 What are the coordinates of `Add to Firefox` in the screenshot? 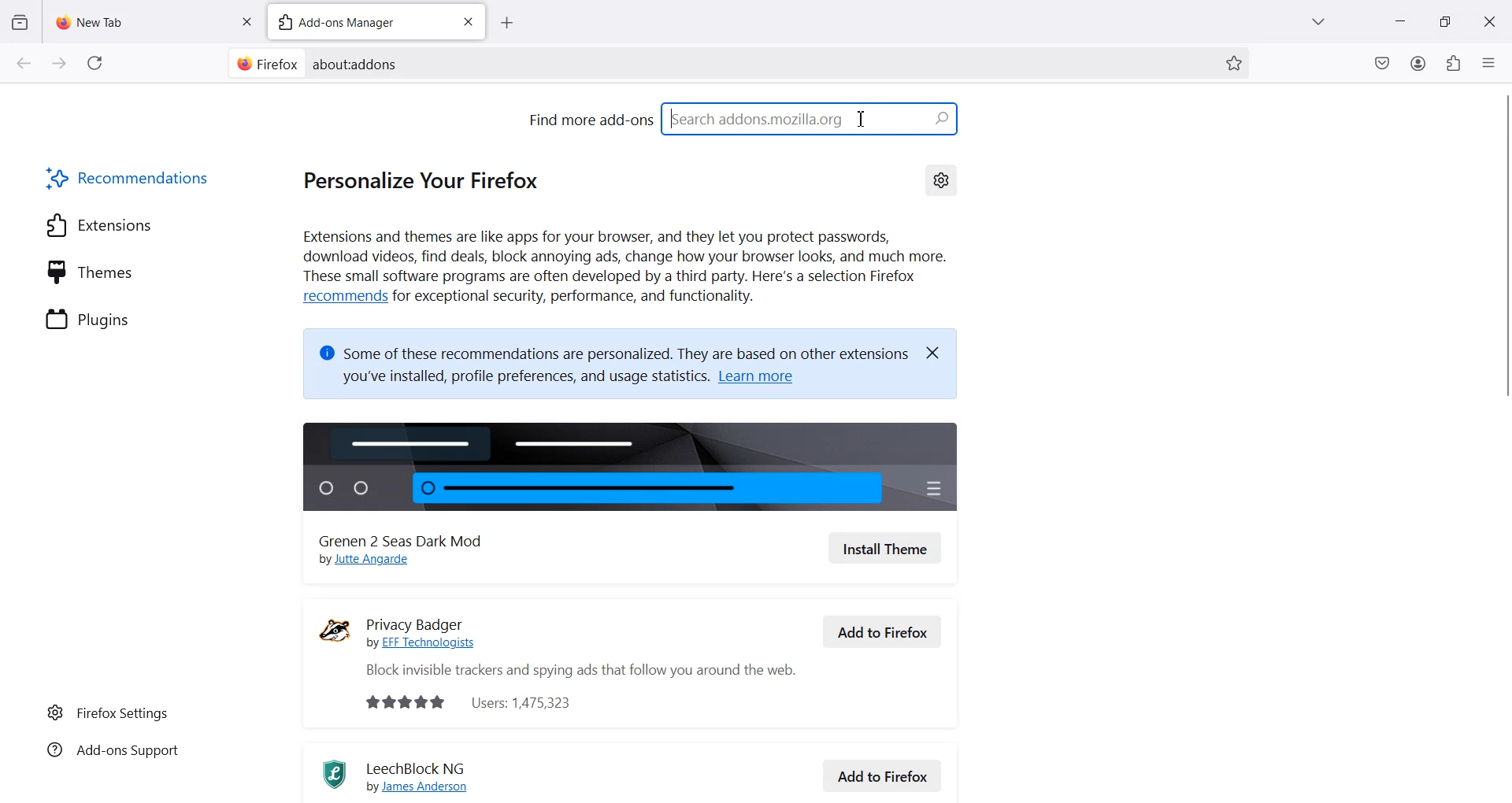 It's located at (883, 631).